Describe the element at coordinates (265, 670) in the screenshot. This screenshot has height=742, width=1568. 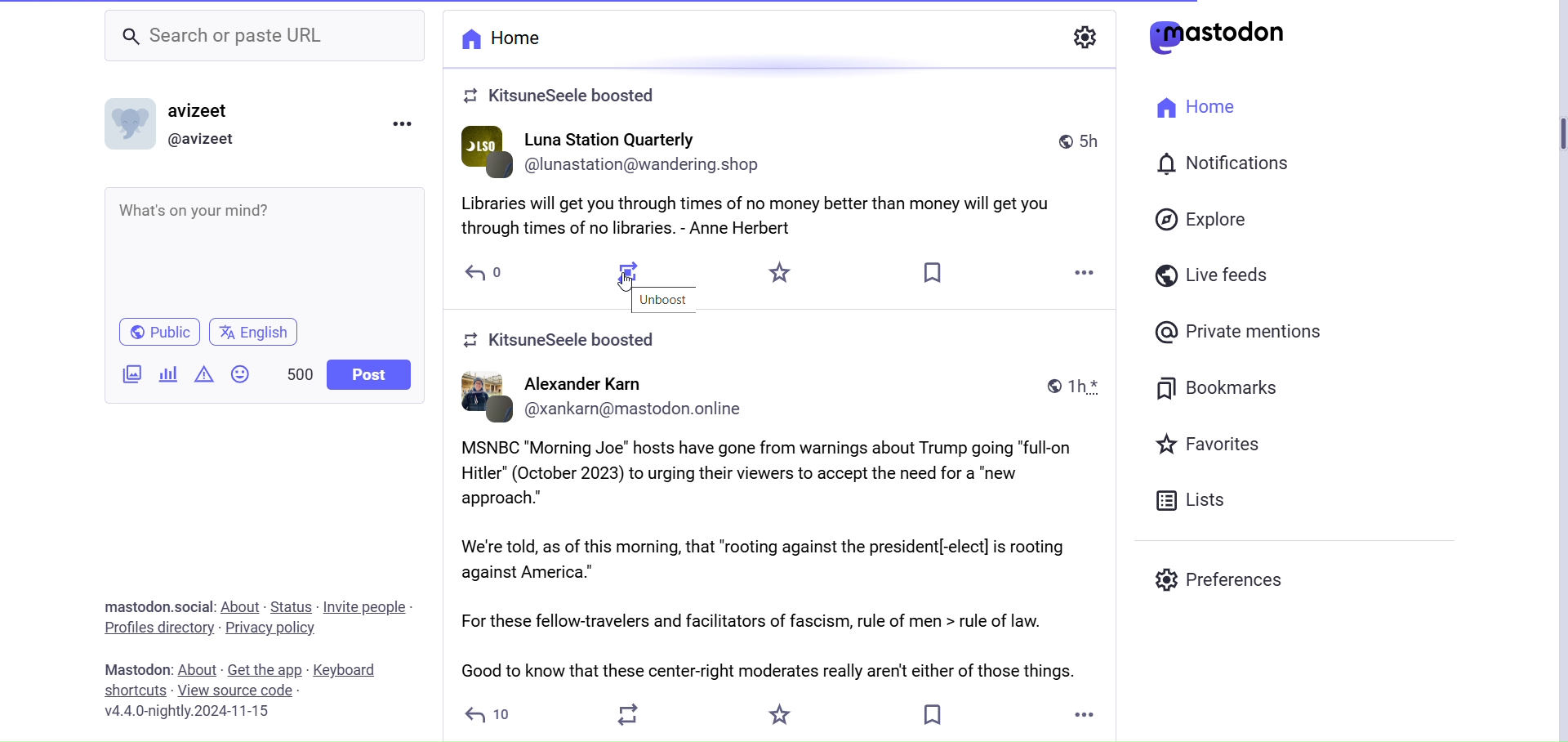
I see `Get the app` at that location.